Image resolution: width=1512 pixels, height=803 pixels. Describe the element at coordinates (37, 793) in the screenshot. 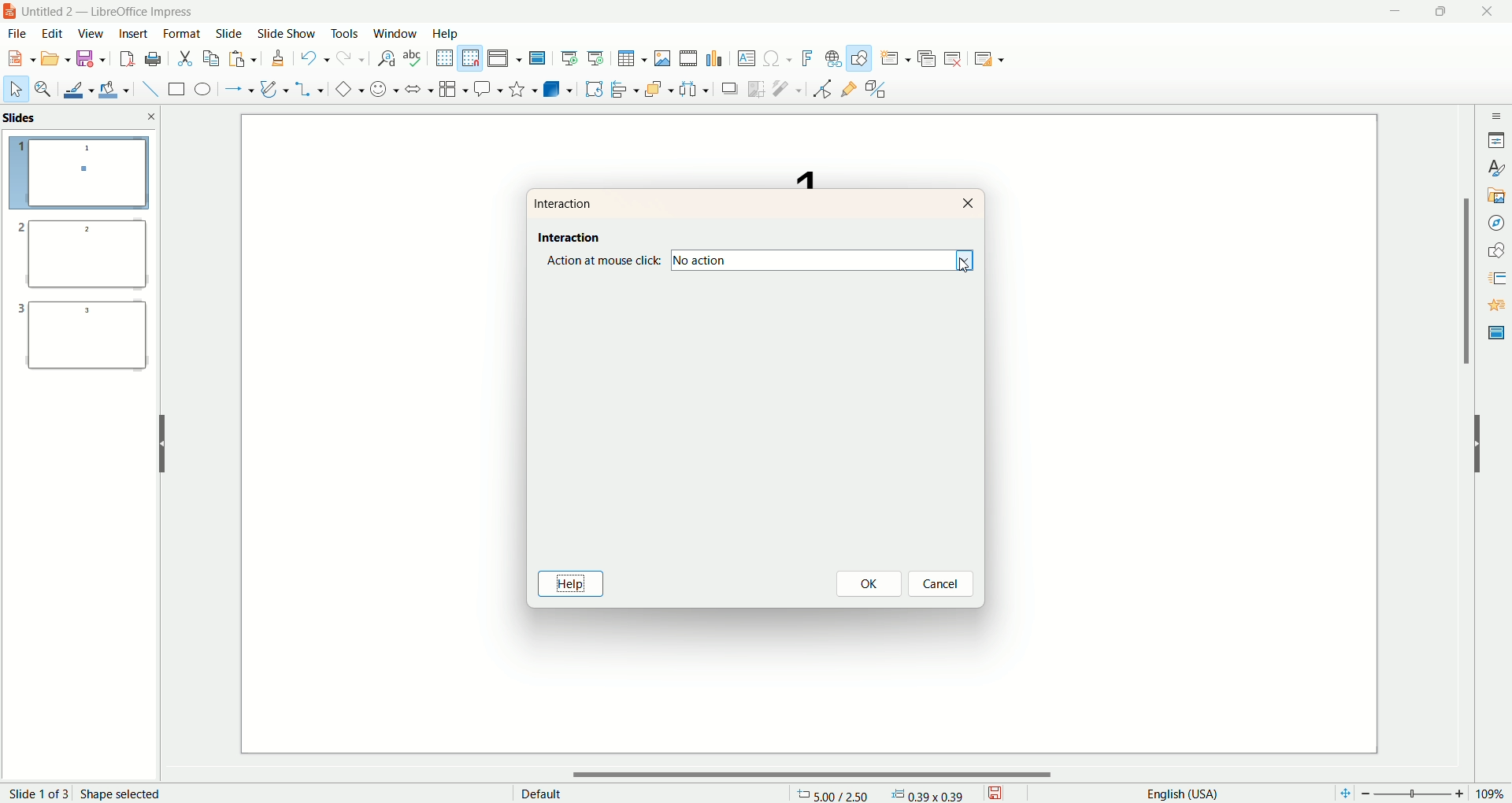

I see `page number` at that location.